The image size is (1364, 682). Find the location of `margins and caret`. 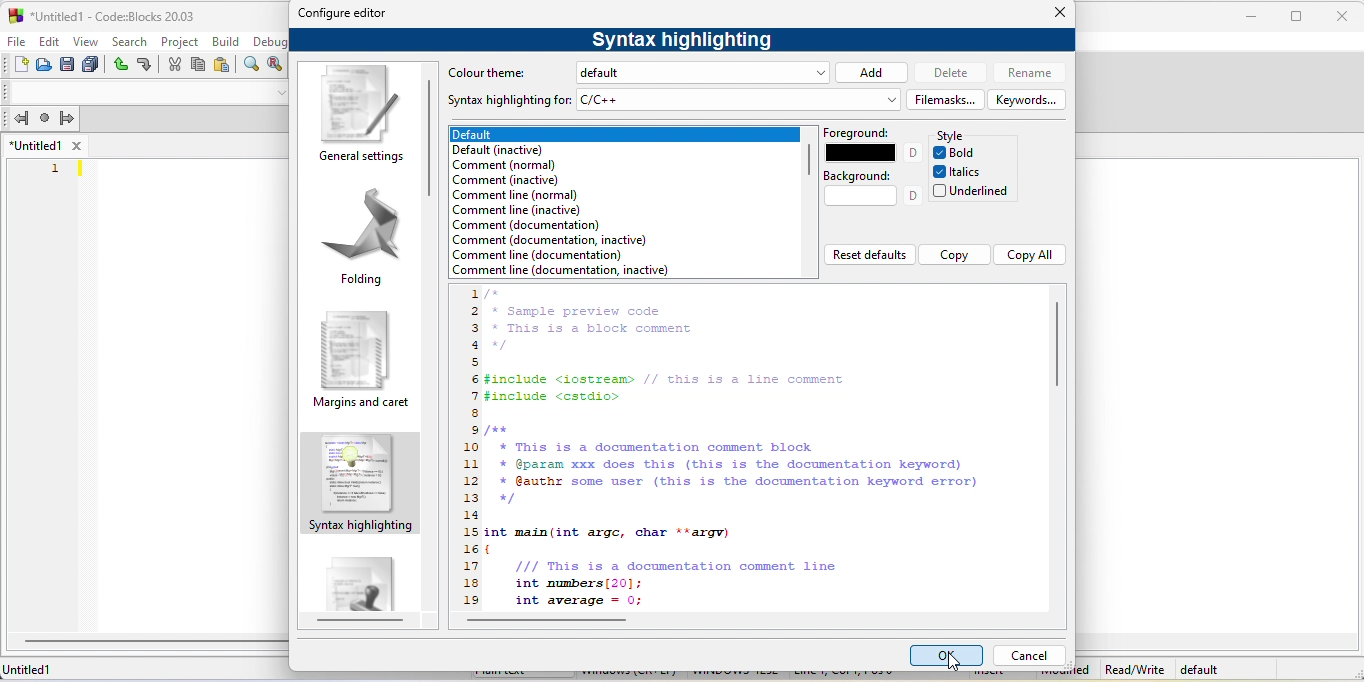

margins and caret is located at coordinates (364, 362).